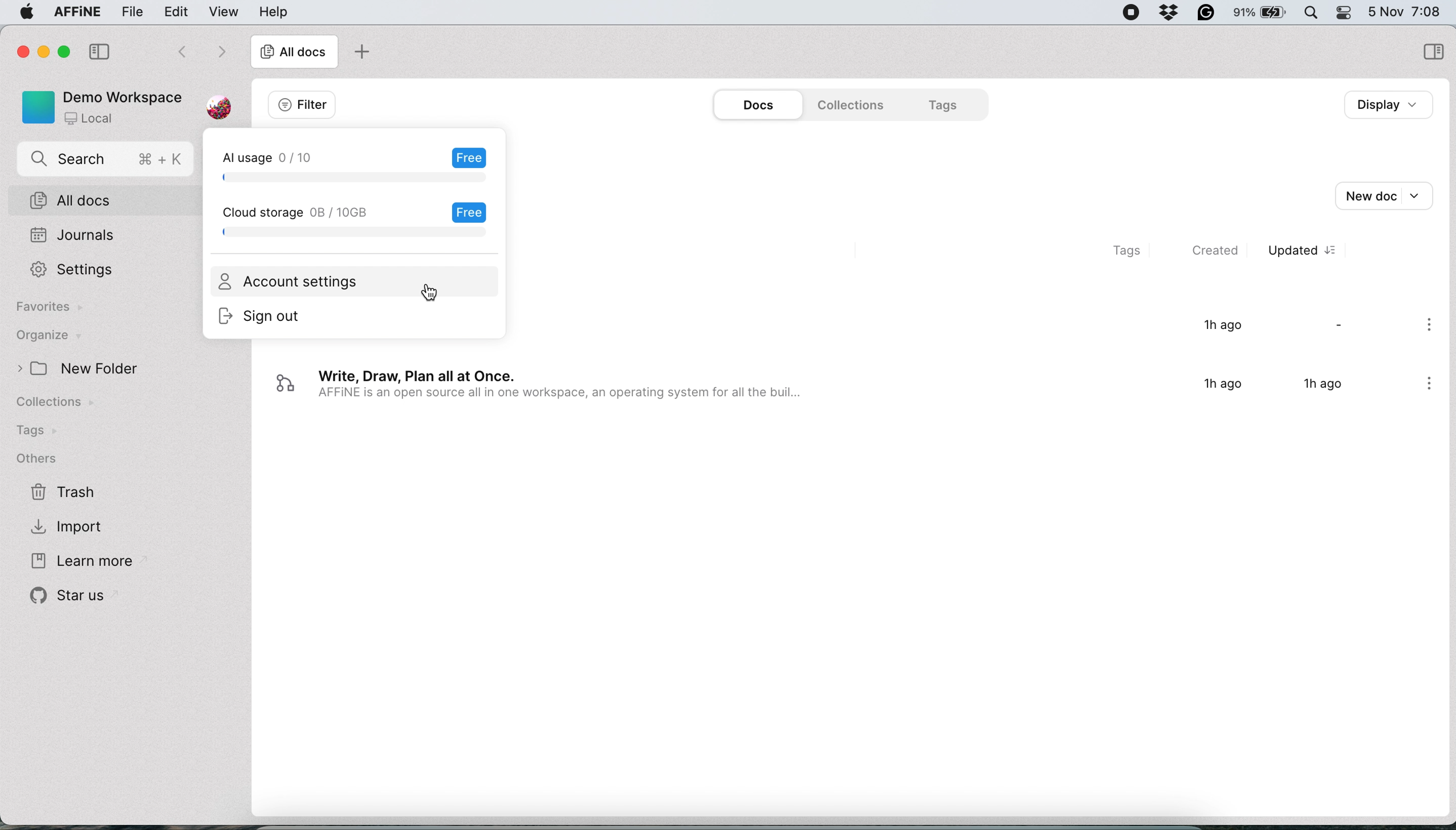  I want to click on collections, so click(855, 105).